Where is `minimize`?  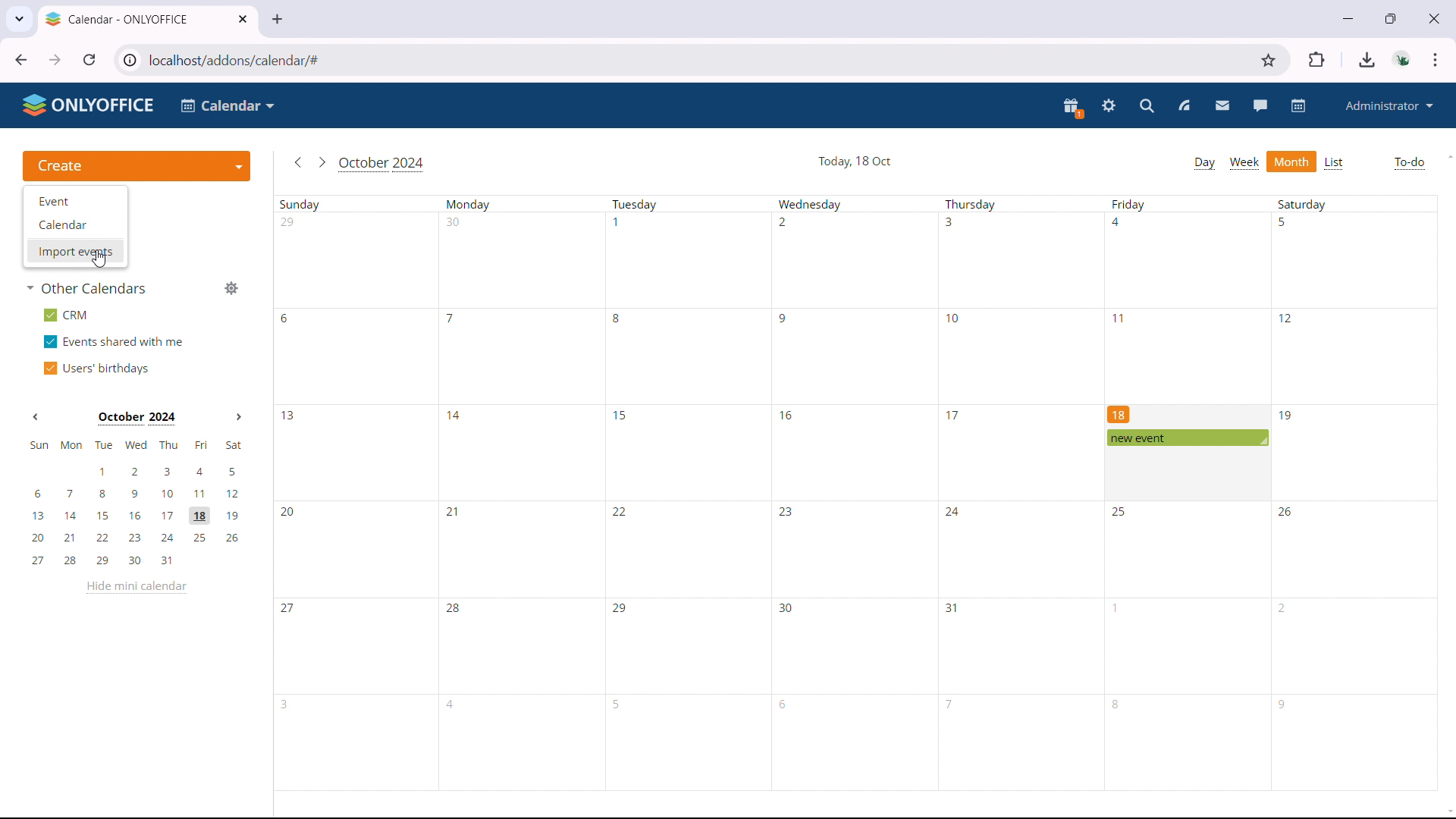
minimize is located at coordinates (1346, 17).